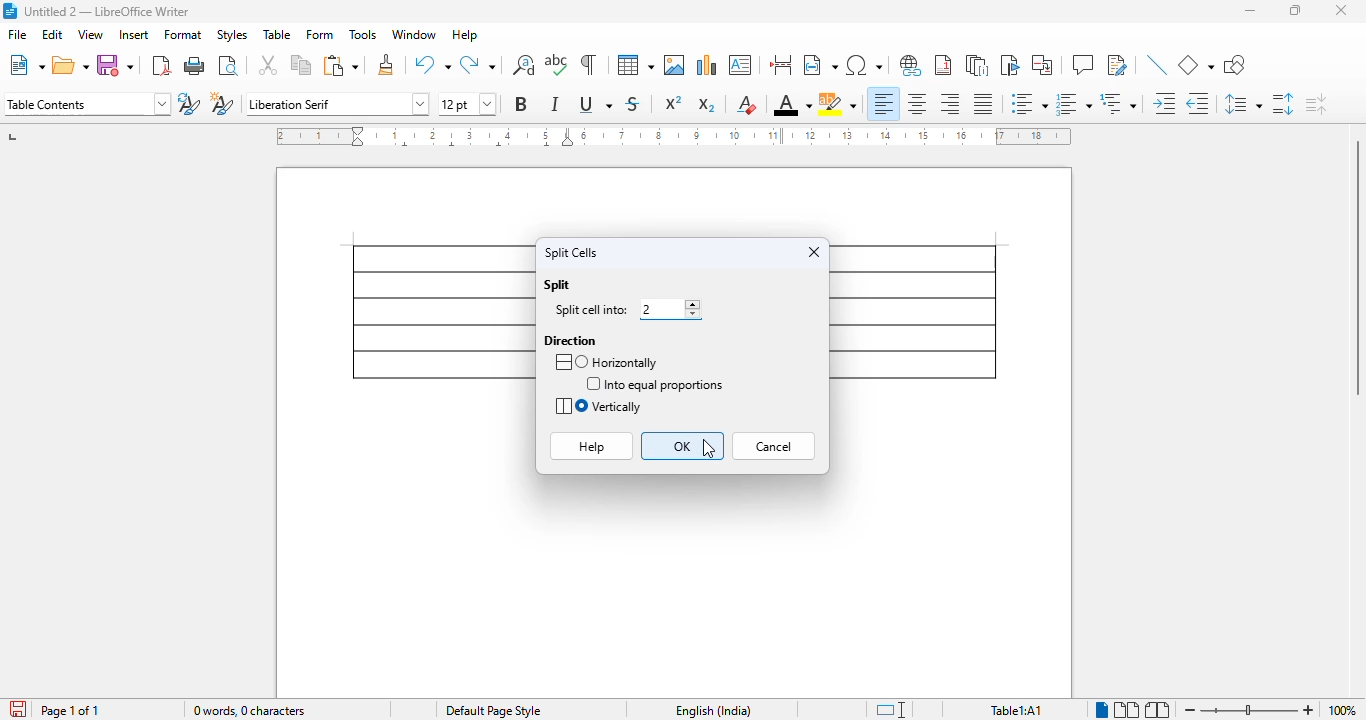 The width and height of the screenshot is (1366, 720). I want to click on minimize, so click(1250, 11).